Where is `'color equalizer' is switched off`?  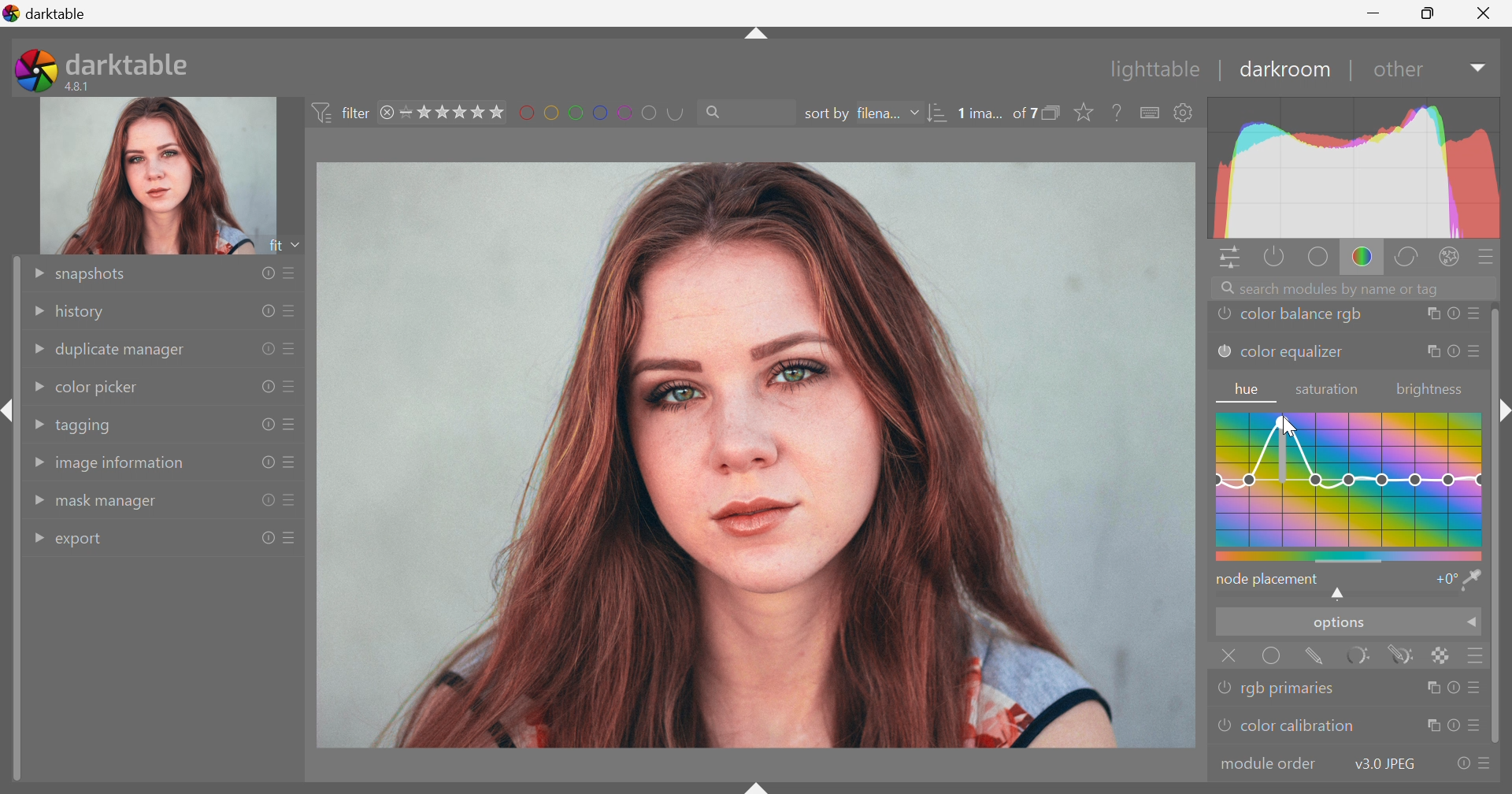
'color equalizer' is switched off is located at coordinates (1223, 351).